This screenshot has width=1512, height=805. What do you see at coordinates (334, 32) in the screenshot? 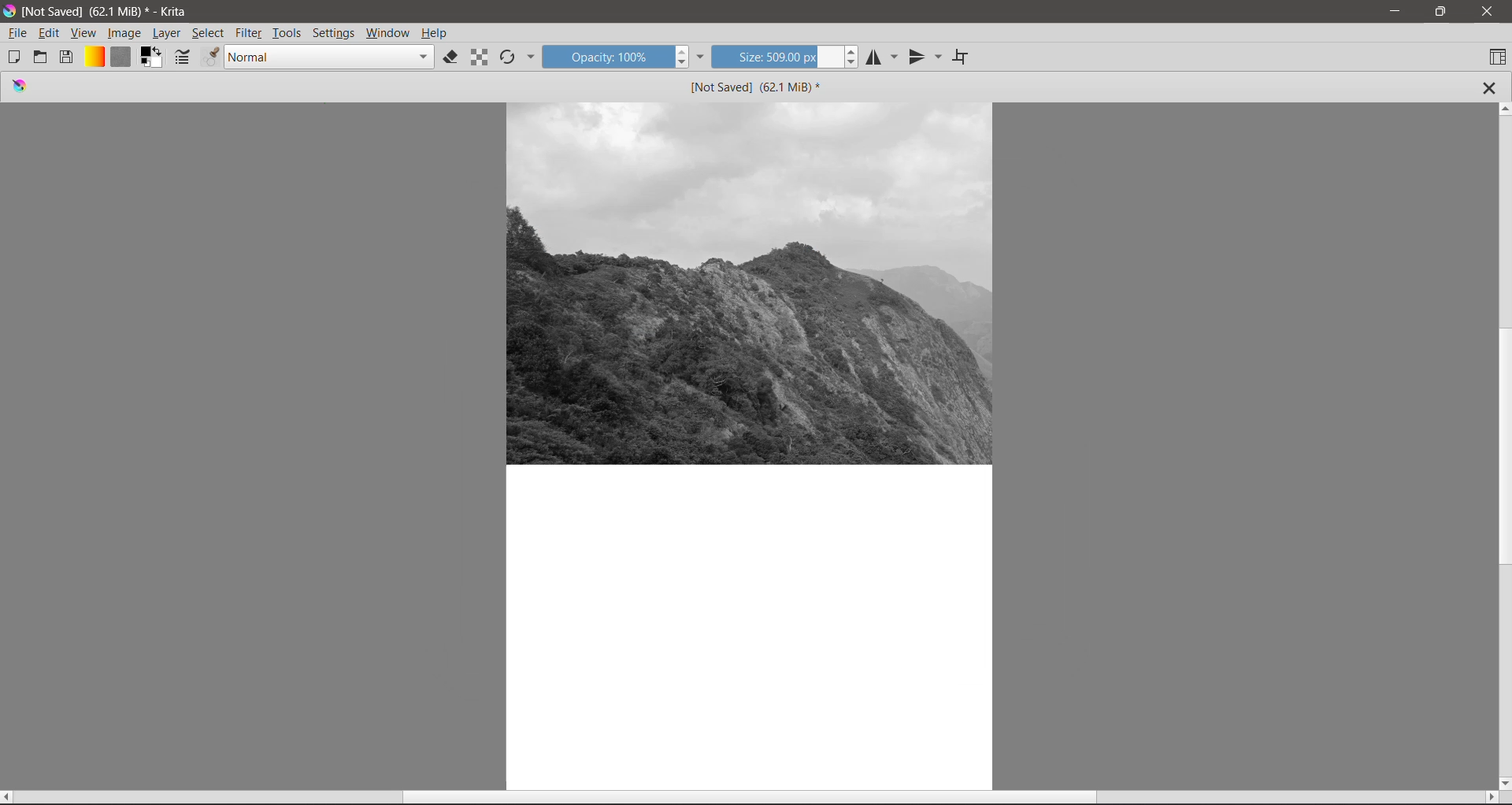
I see `Settings` at bounding box center [334, 32].